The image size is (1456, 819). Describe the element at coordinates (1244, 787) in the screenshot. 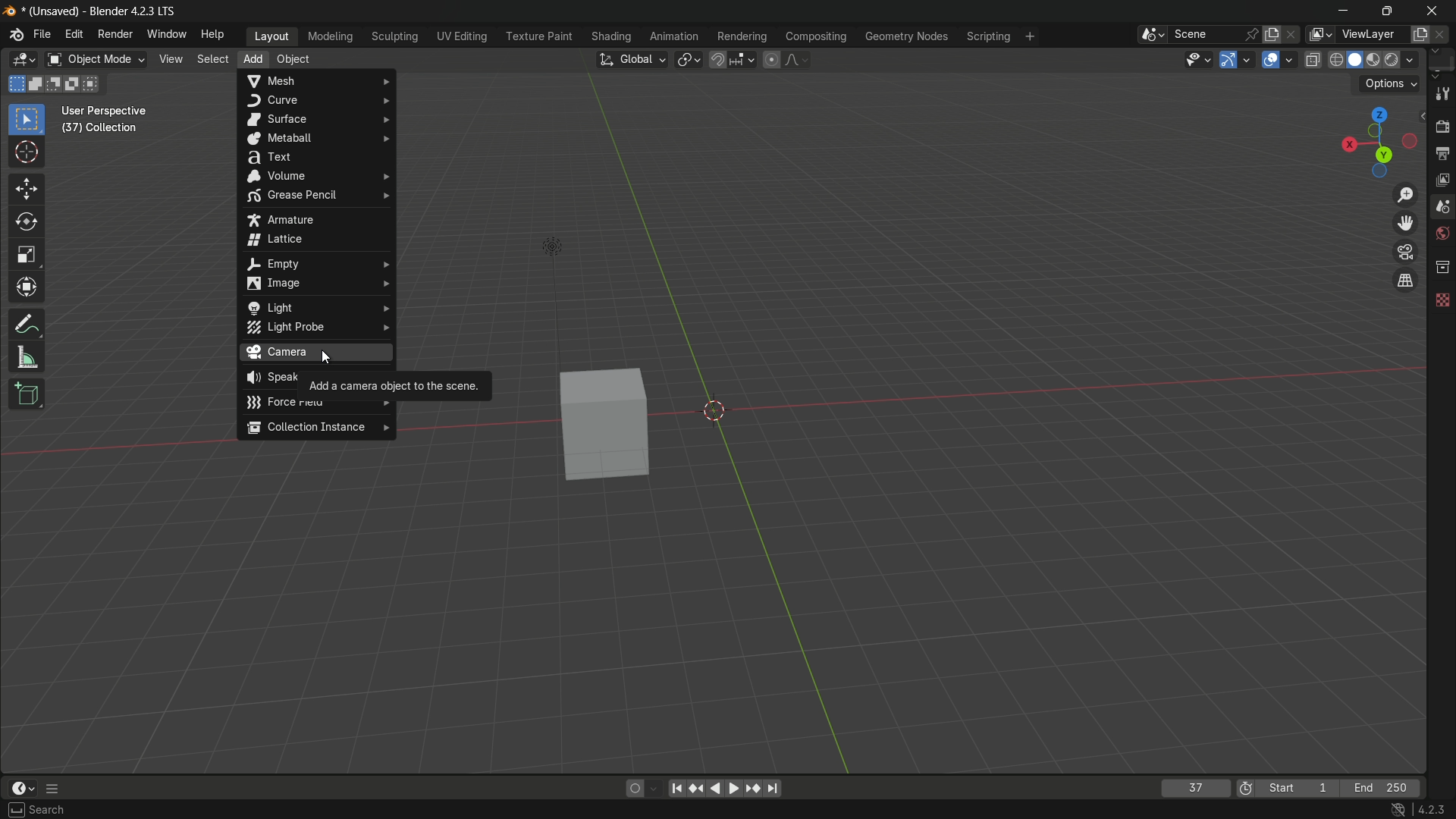

I see `use preview range` at that location.